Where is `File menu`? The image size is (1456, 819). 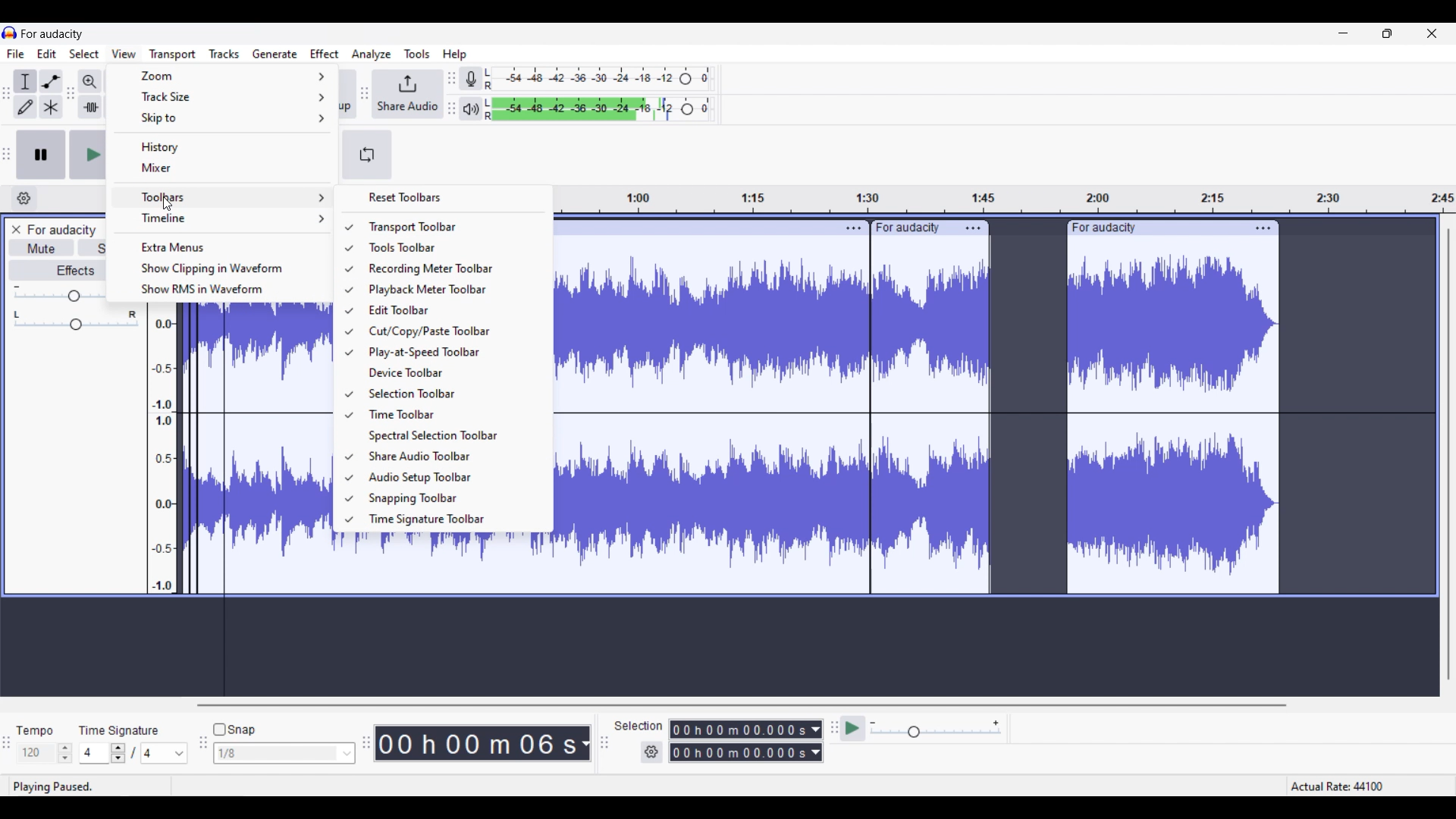 File menu is located at coordinates (16, 53).